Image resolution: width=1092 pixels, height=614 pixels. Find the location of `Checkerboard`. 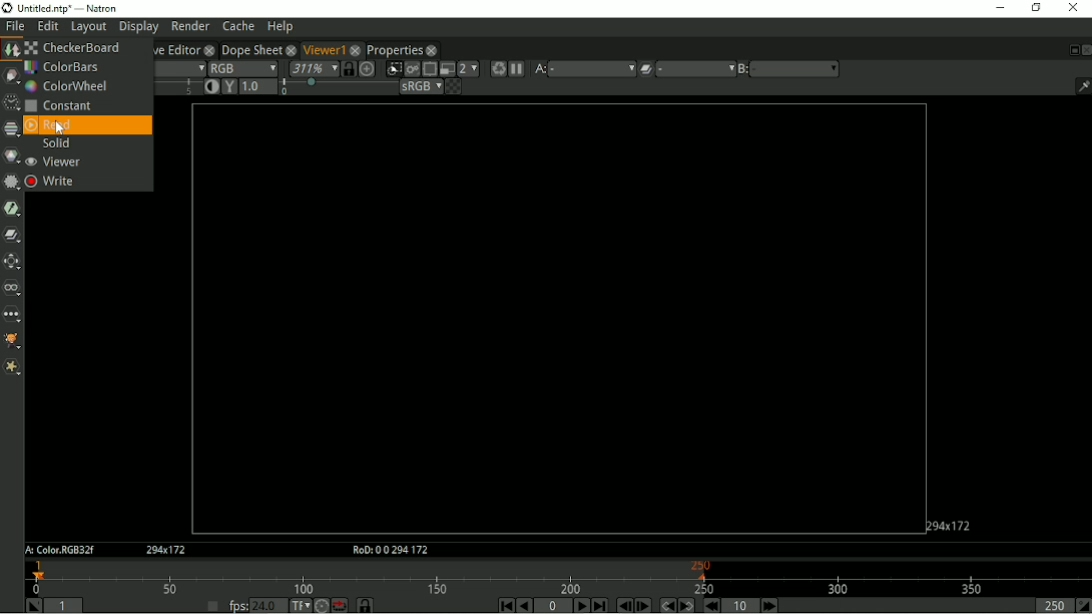

Checkerboard is located at coordinates (453, 87).